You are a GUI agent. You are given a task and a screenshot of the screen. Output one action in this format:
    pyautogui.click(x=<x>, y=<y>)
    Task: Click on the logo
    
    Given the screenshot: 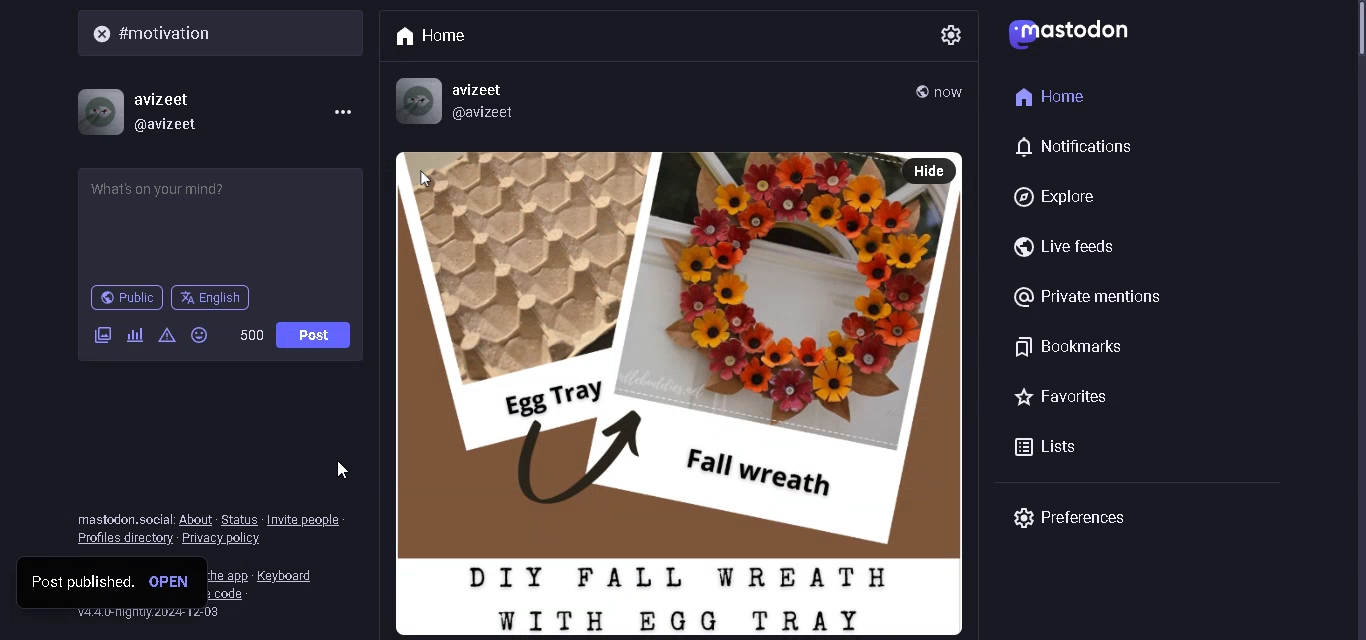 What is the action you would take?
    pyautogui.click(x=1076, y=37)
    